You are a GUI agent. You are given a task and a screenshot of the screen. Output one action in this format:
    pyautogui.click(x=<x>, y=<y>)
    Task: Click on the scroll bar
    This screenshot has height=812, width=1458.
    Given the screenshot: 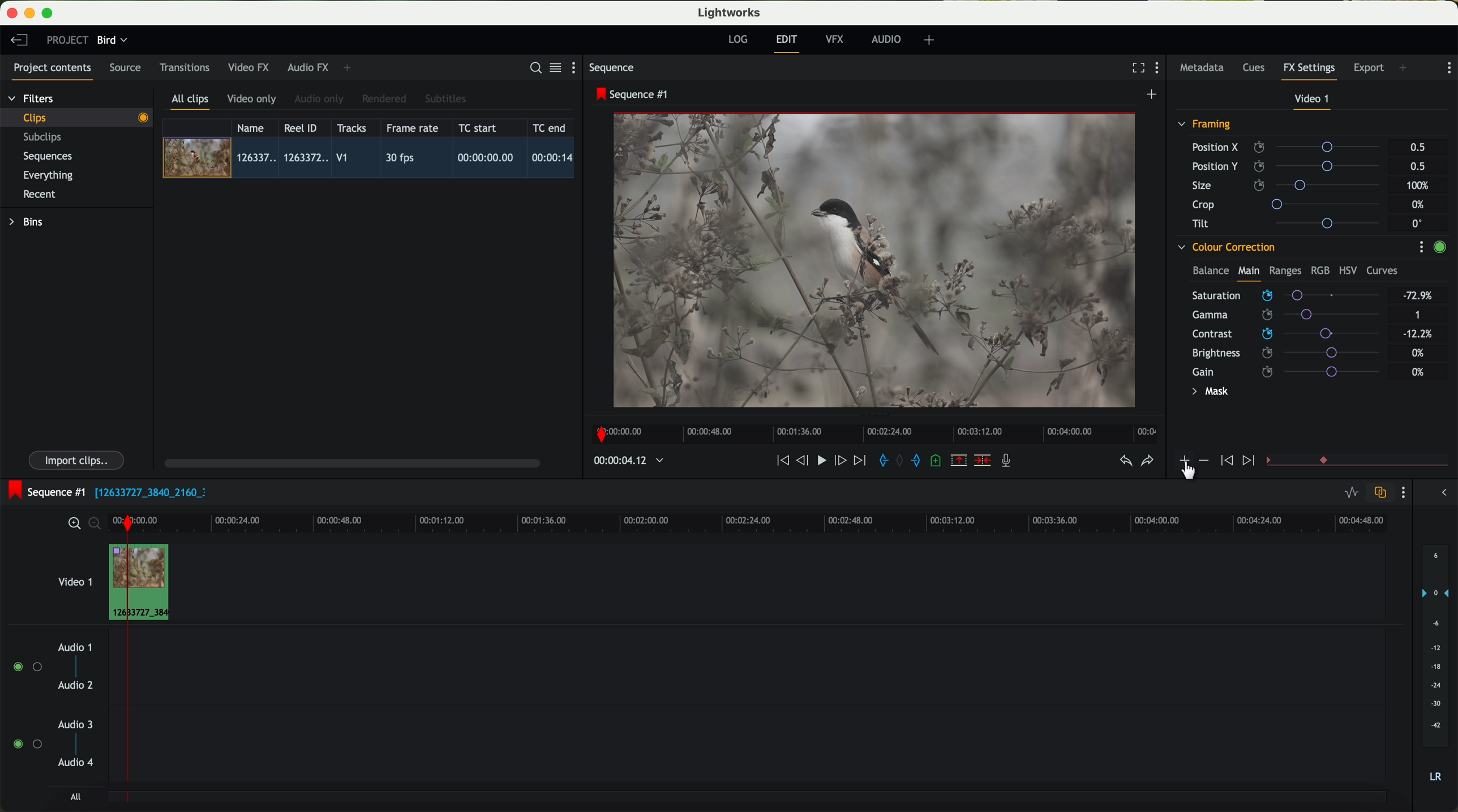 What is the action you would take?
    pyautogui.click(x=351, y=462)
    